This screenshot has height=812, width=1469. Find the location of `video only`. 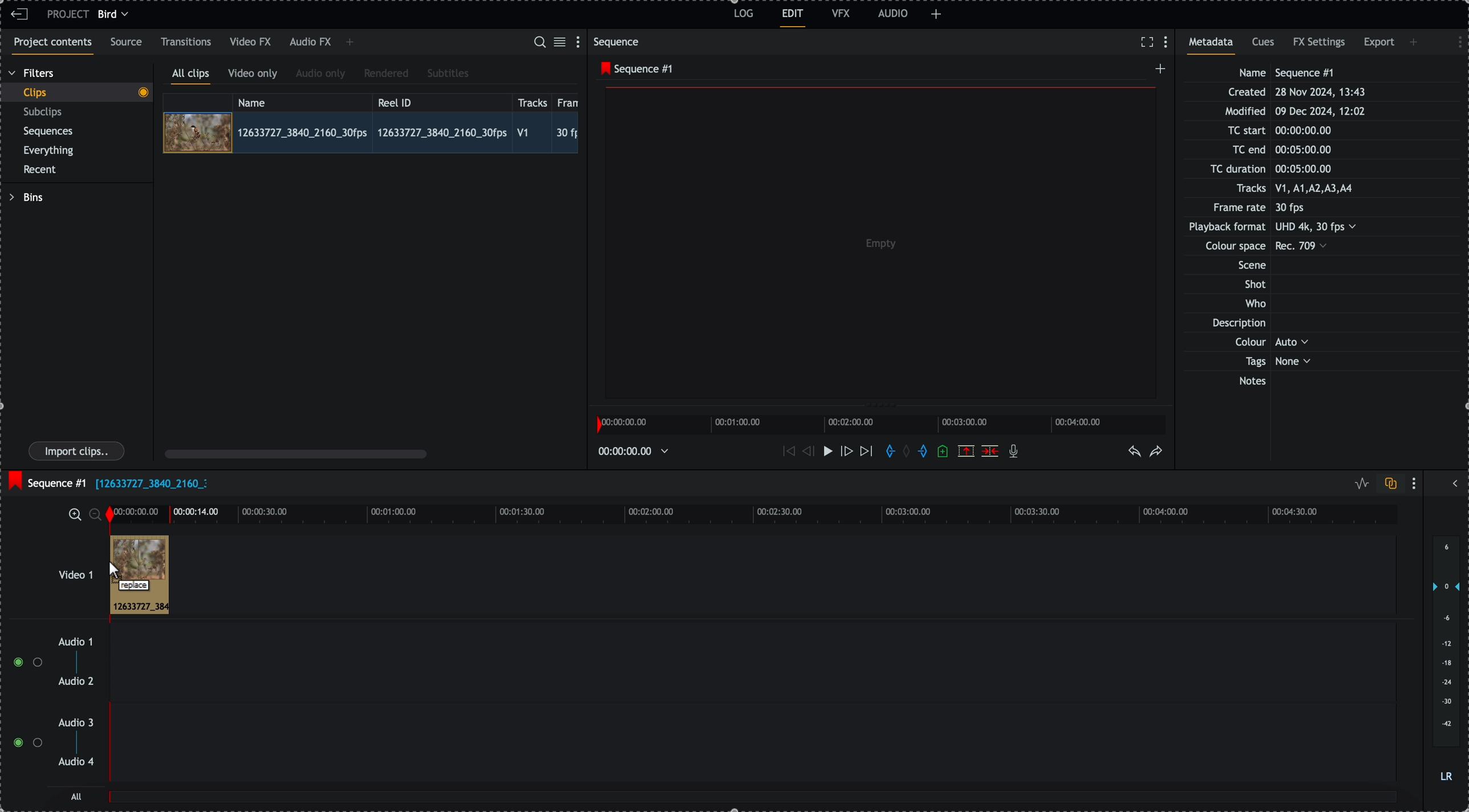

video only is located at coordinates (255, 75).